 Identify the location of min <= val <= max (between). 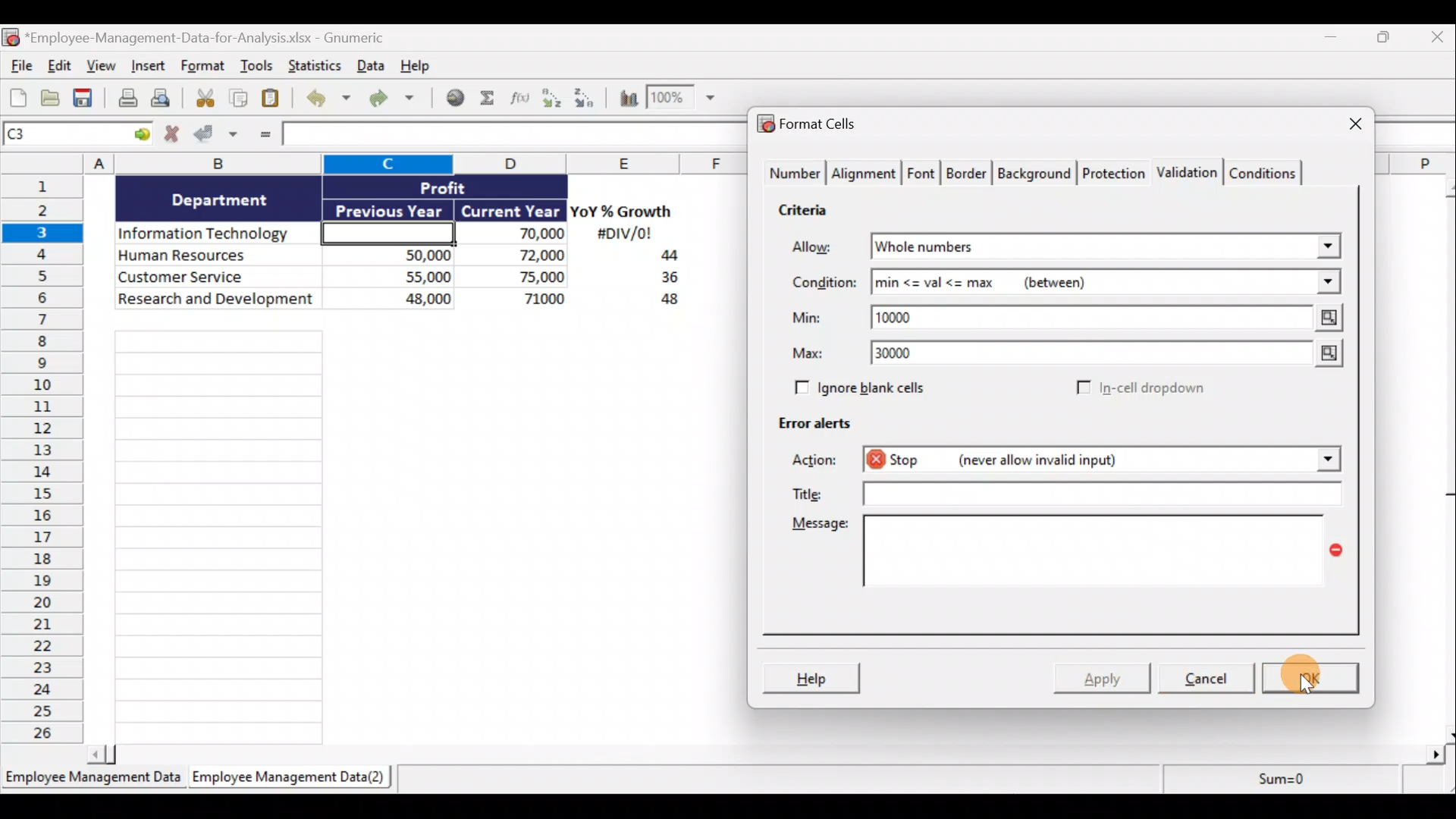
(1086, 285).